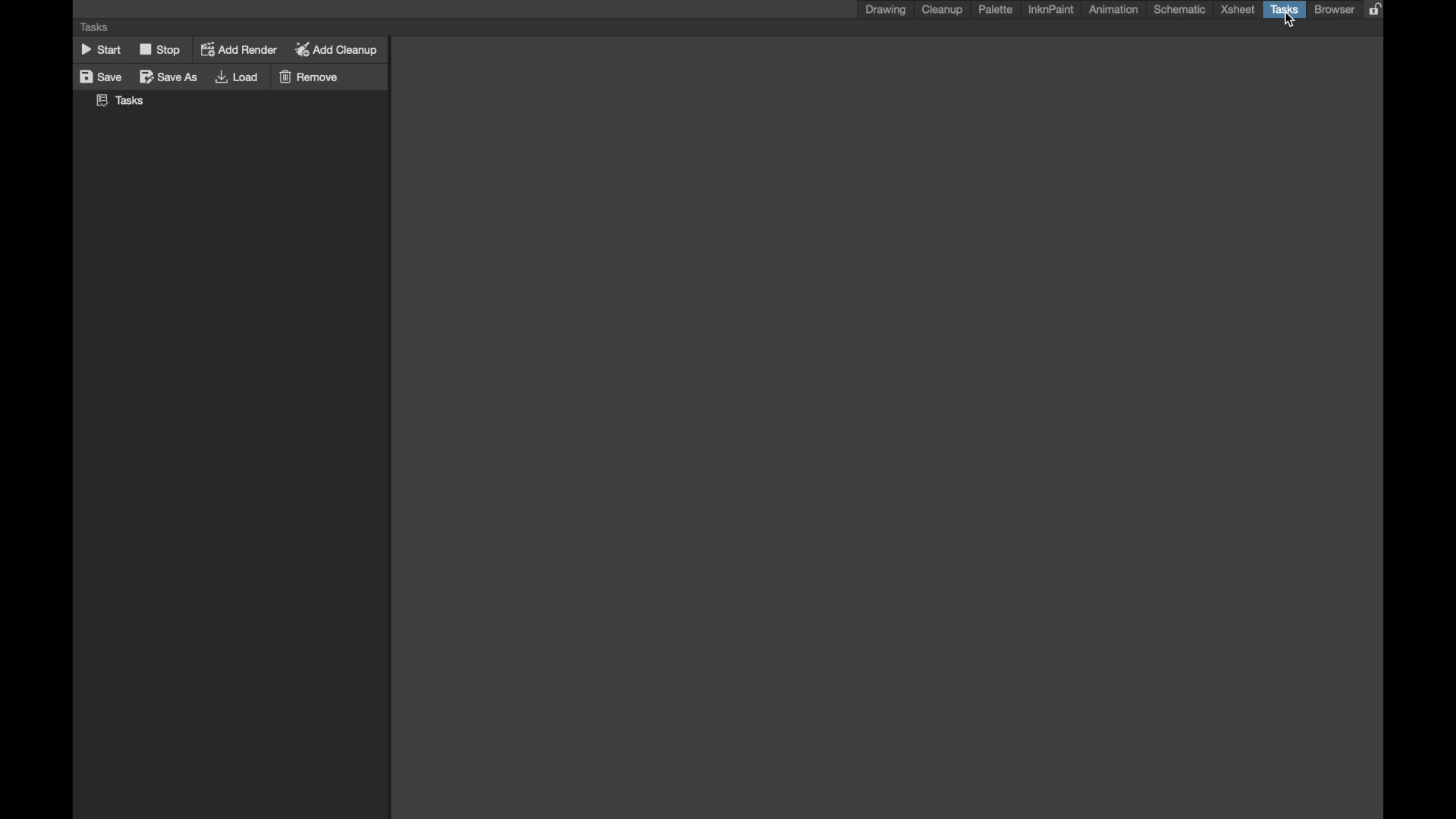 This screenshot has width=1456, height=819. What do you see at coordinates (103, 49) in the screenshot?
I see `start` at bounding box center [103, 49].